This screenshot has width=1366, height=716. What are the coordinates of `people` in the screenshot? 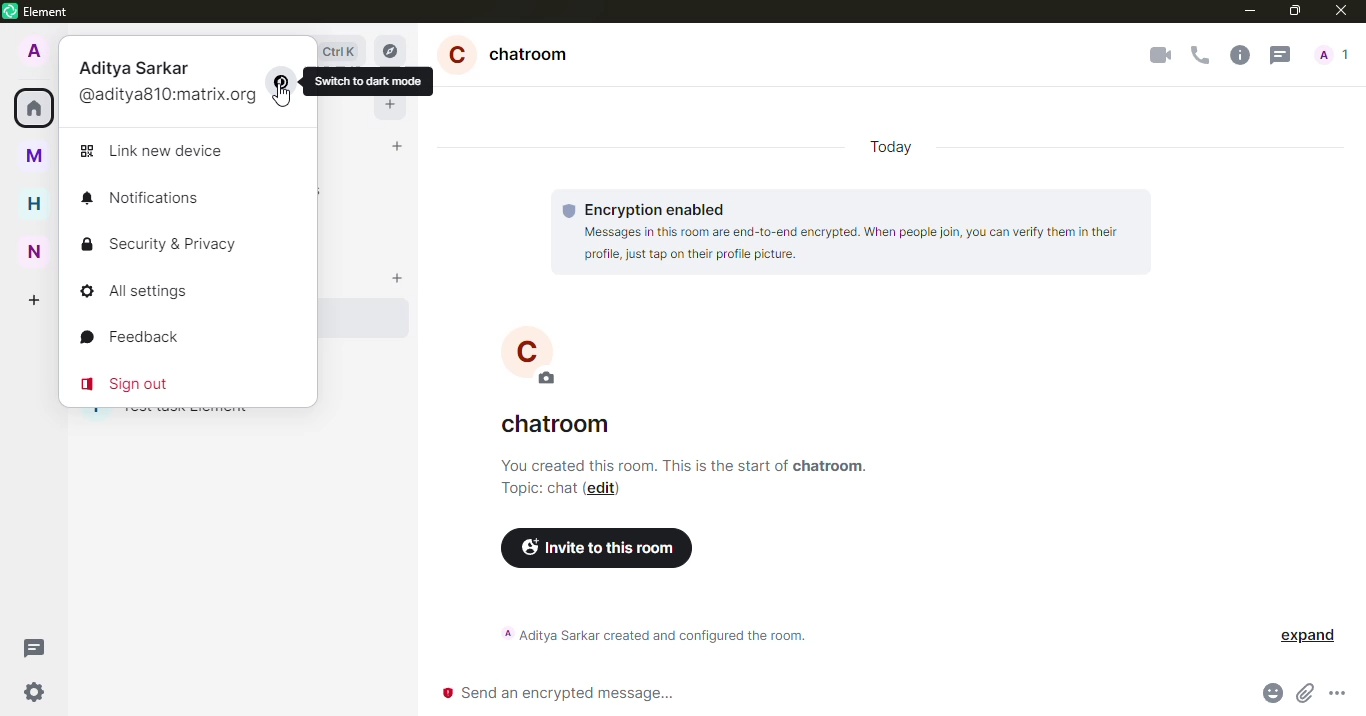 It's located at (1334, 53).